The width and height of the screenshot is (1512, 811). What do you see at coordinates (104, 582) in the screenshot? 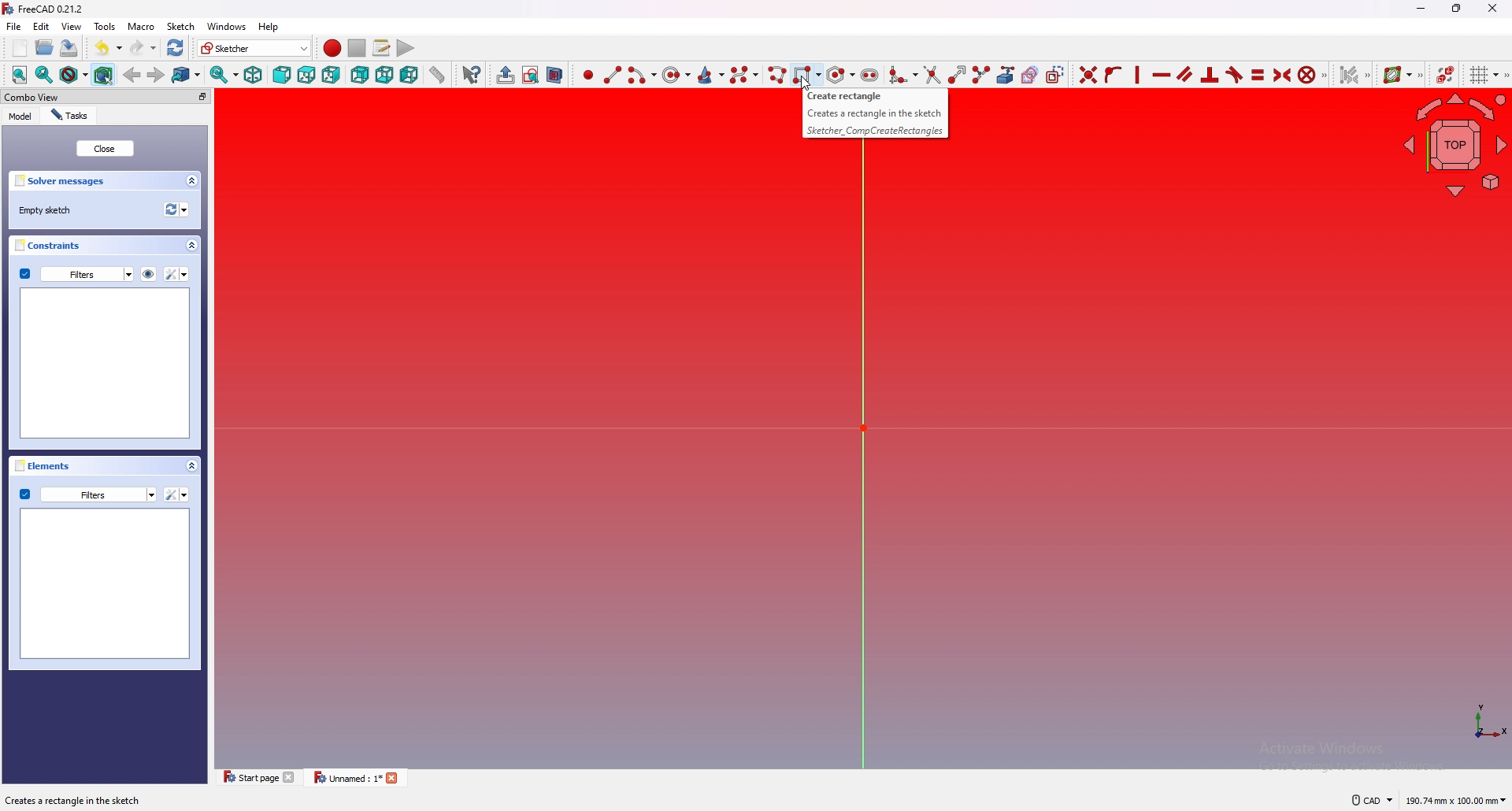
I see `preview` at bounding box center [104, 582].